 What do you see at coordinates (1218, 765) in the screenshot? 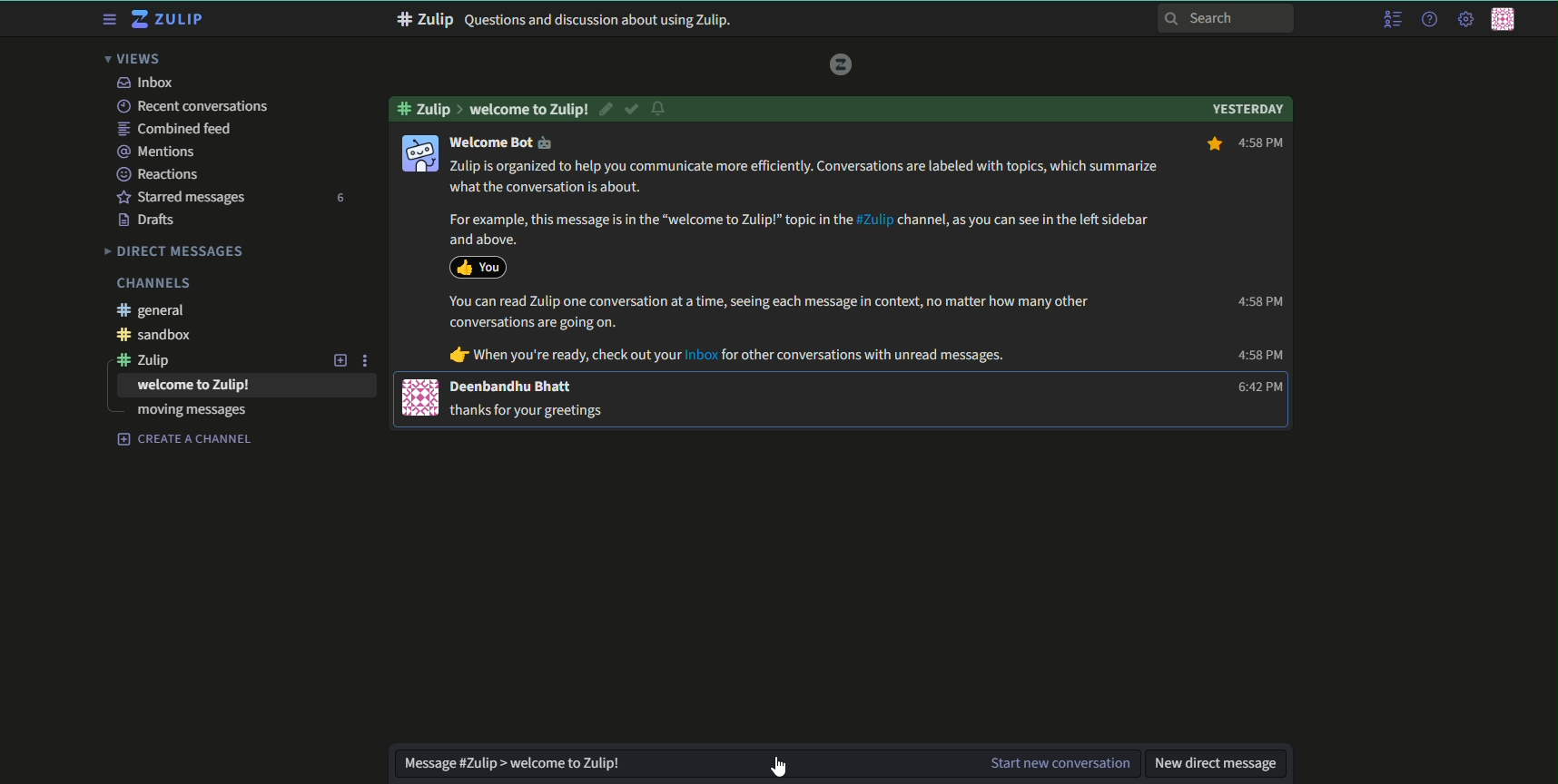
I see `New direct message` at bounding box center [1218, 765].